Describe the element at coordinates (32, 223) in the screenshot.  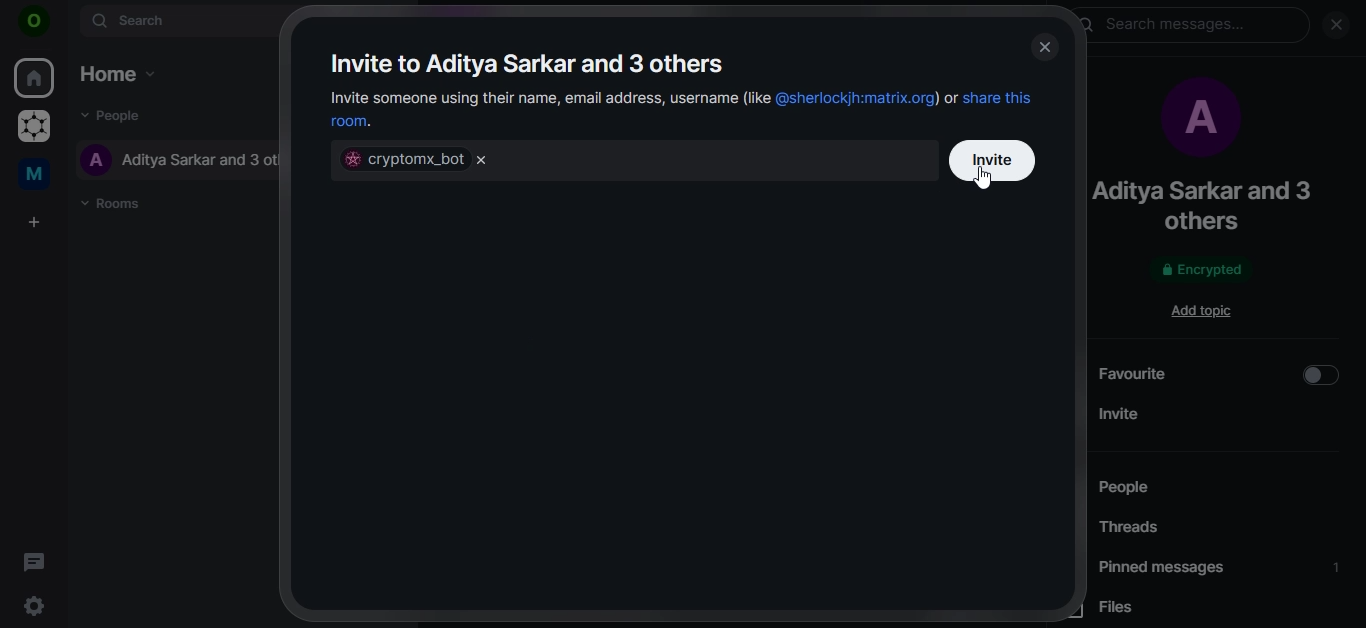
I see `create a space` at that location.